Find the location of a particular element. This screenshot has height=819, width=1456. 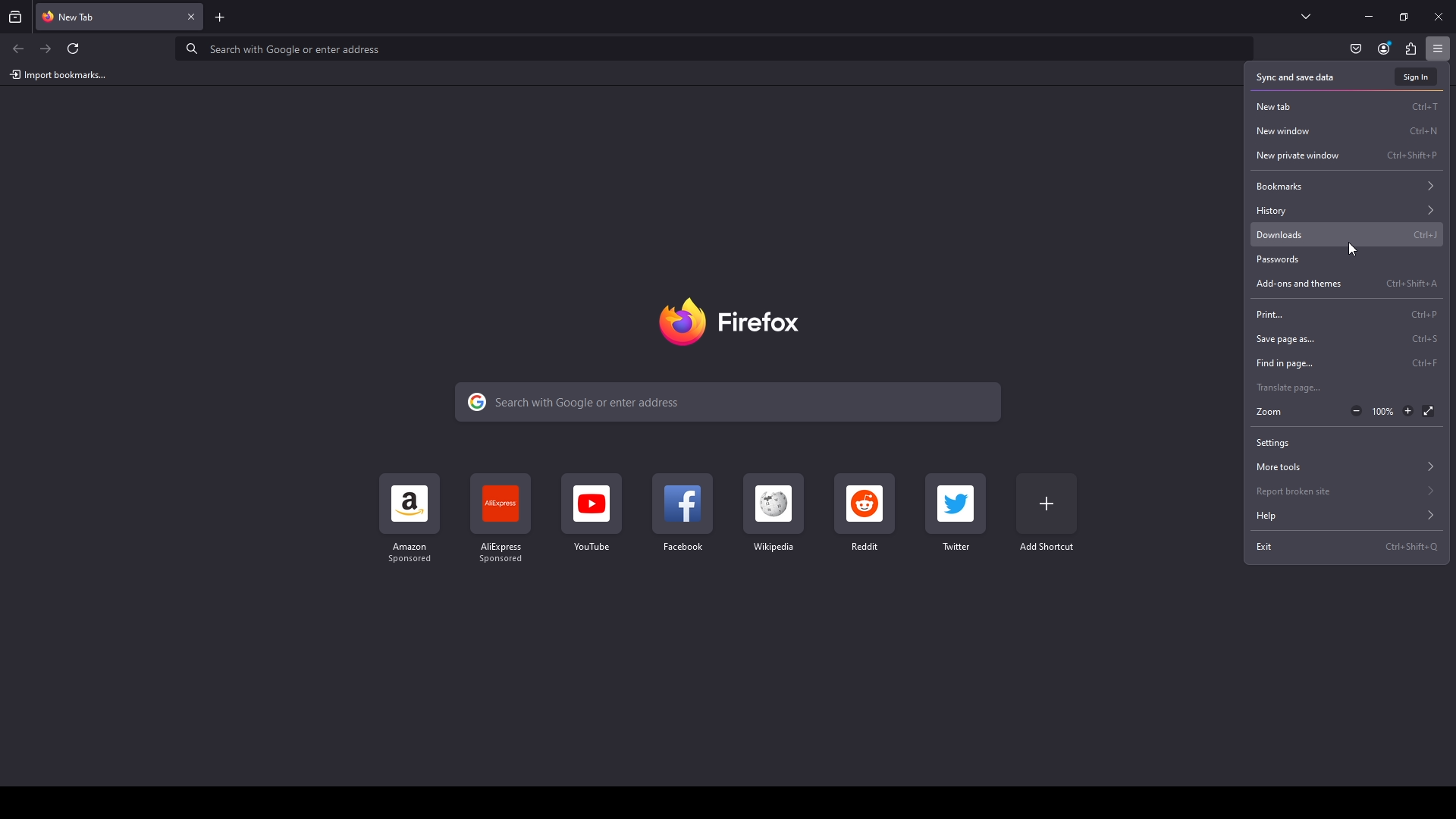

Add-ons and themes is located at coordinates (1348, 284).